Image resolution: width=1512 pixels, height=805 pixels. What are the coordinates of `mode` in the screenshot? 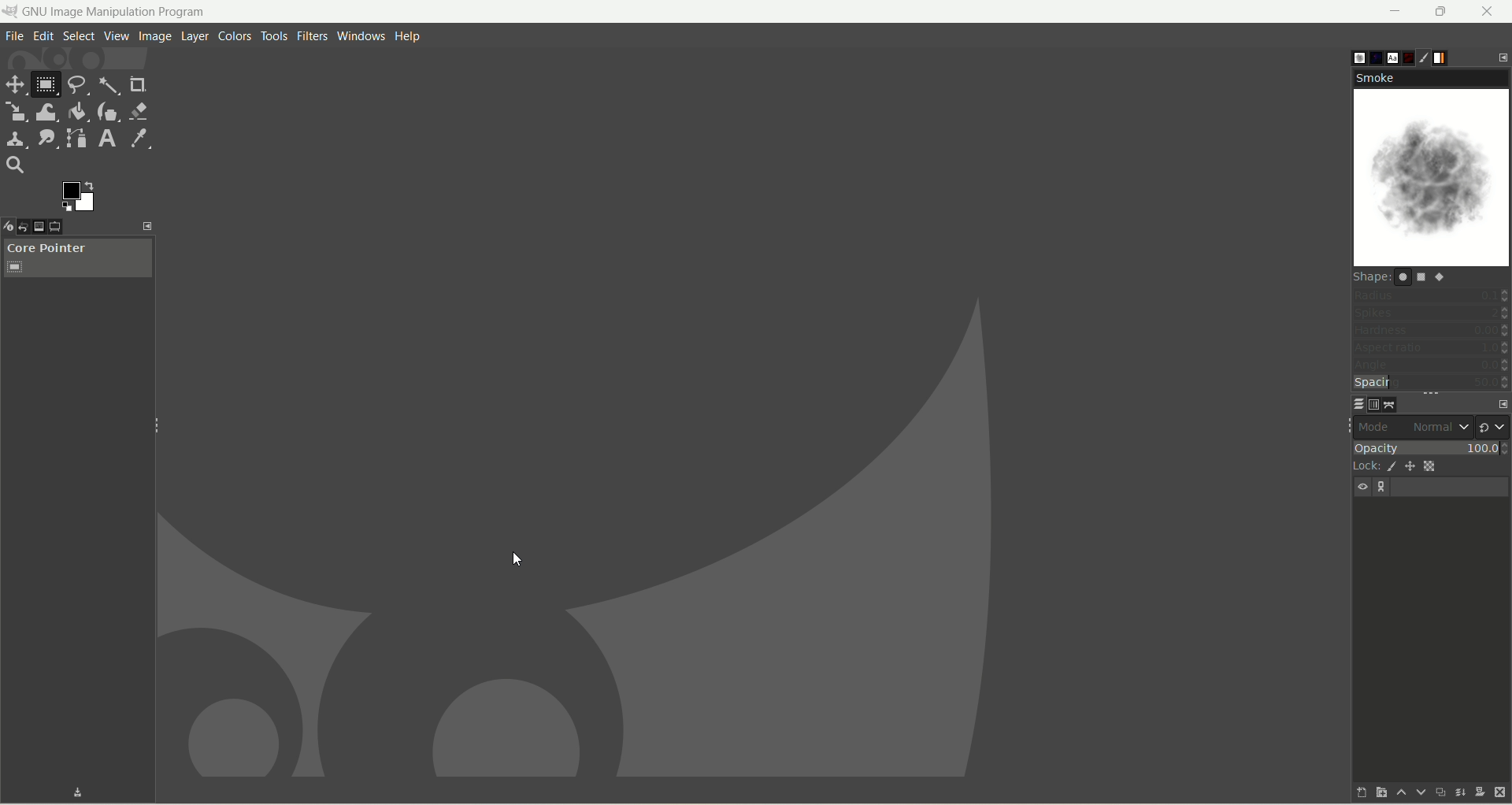 It's located at (1378, 426).